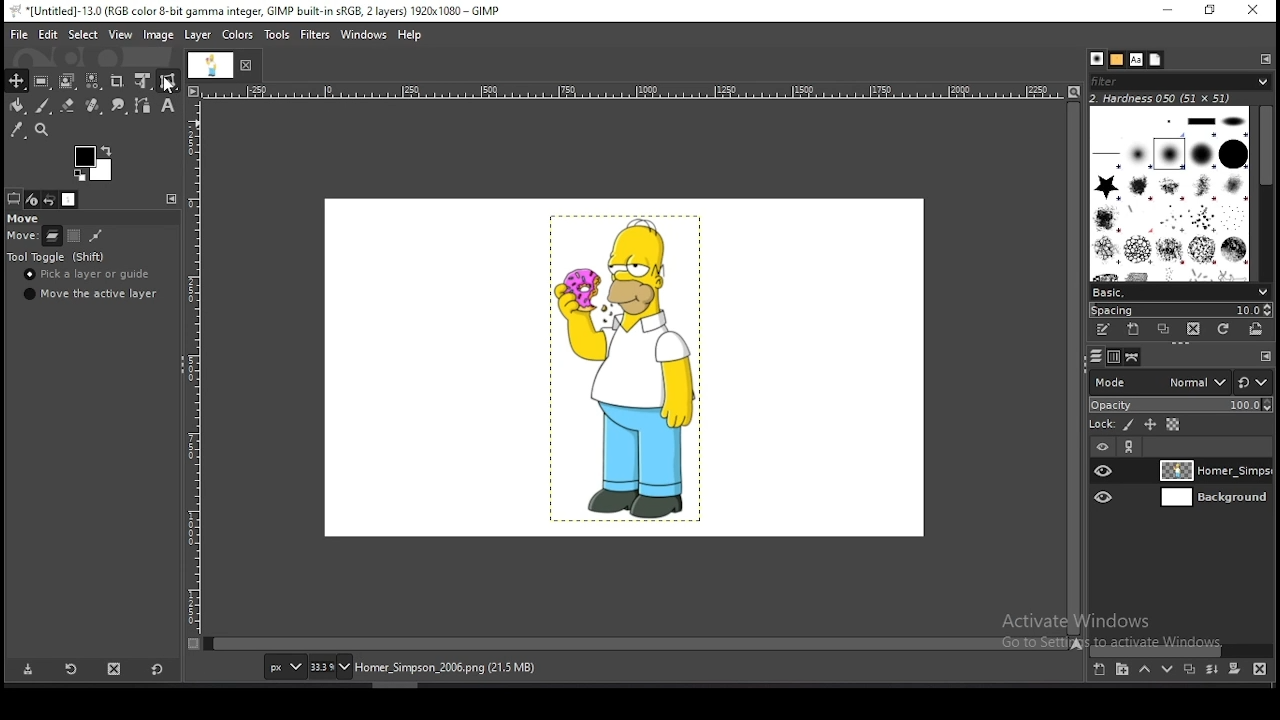 This screenshot has height=720, width=1280. What do you see at coordinates (168, 81) in the screenshot?
I see `cage transform tool` at bounding box center [168, 81].